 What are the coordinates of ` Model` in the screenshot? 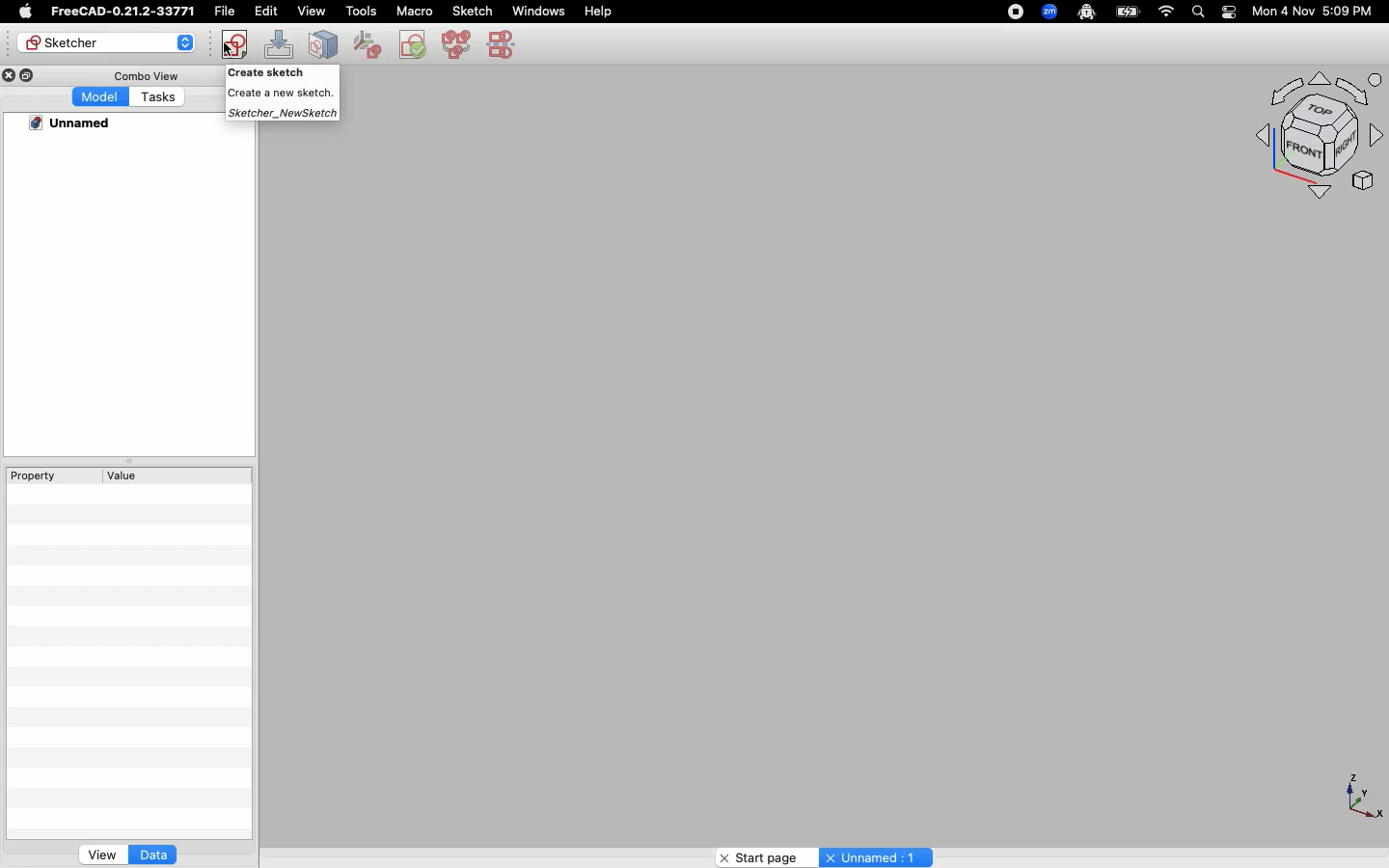 It's located at (100, 96).